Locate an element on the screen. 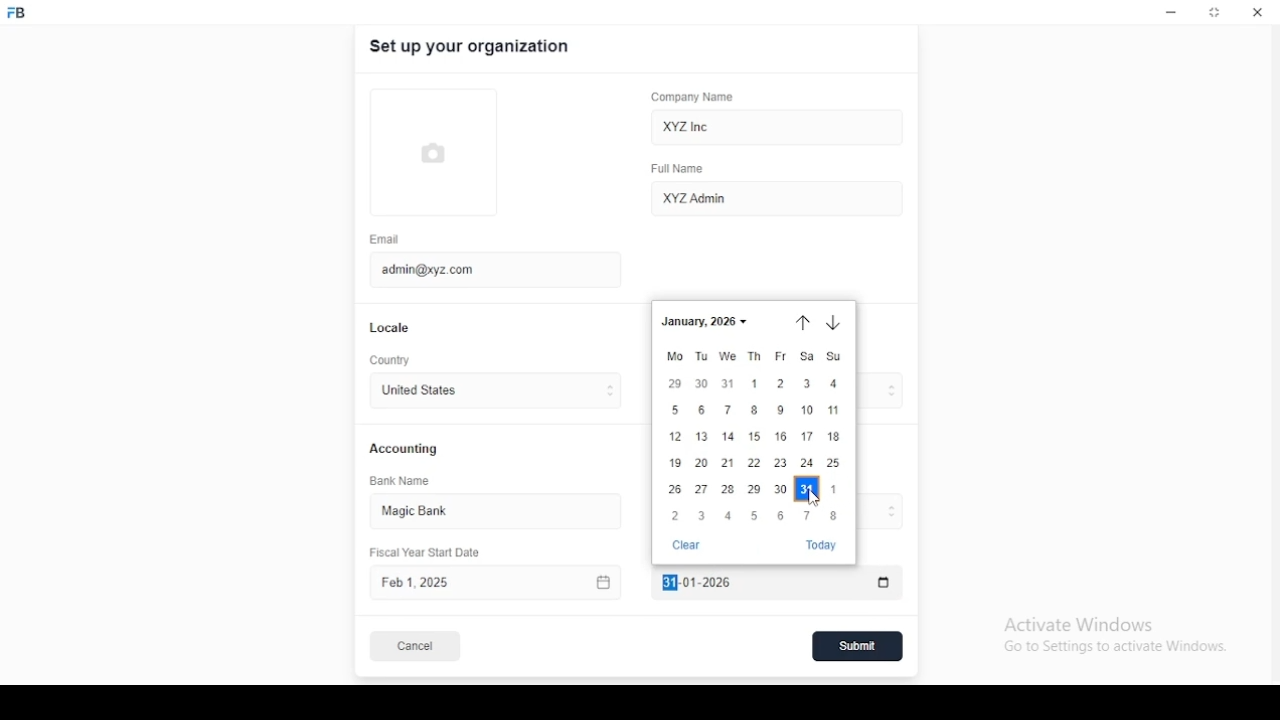  submit is located at coordinates (860, 645).